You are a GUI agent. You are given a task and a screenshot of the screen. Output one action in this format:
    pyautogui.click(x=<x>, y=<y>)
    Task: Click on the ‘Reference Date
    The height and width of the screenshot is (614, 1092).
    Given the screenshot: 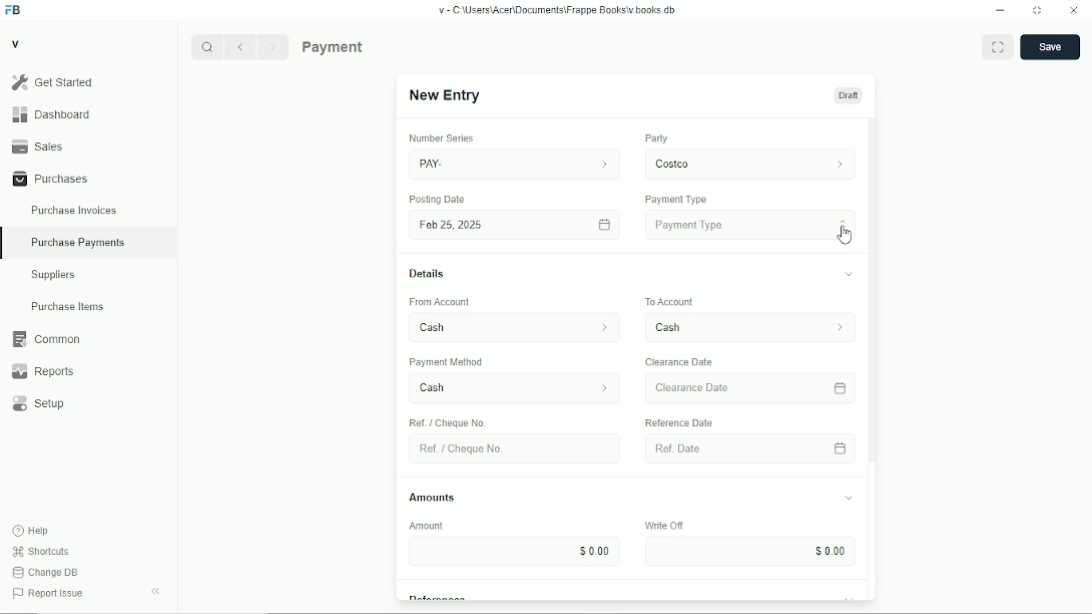 What is the action you would take?
    pyautogui.click(x=682, y=422)
    